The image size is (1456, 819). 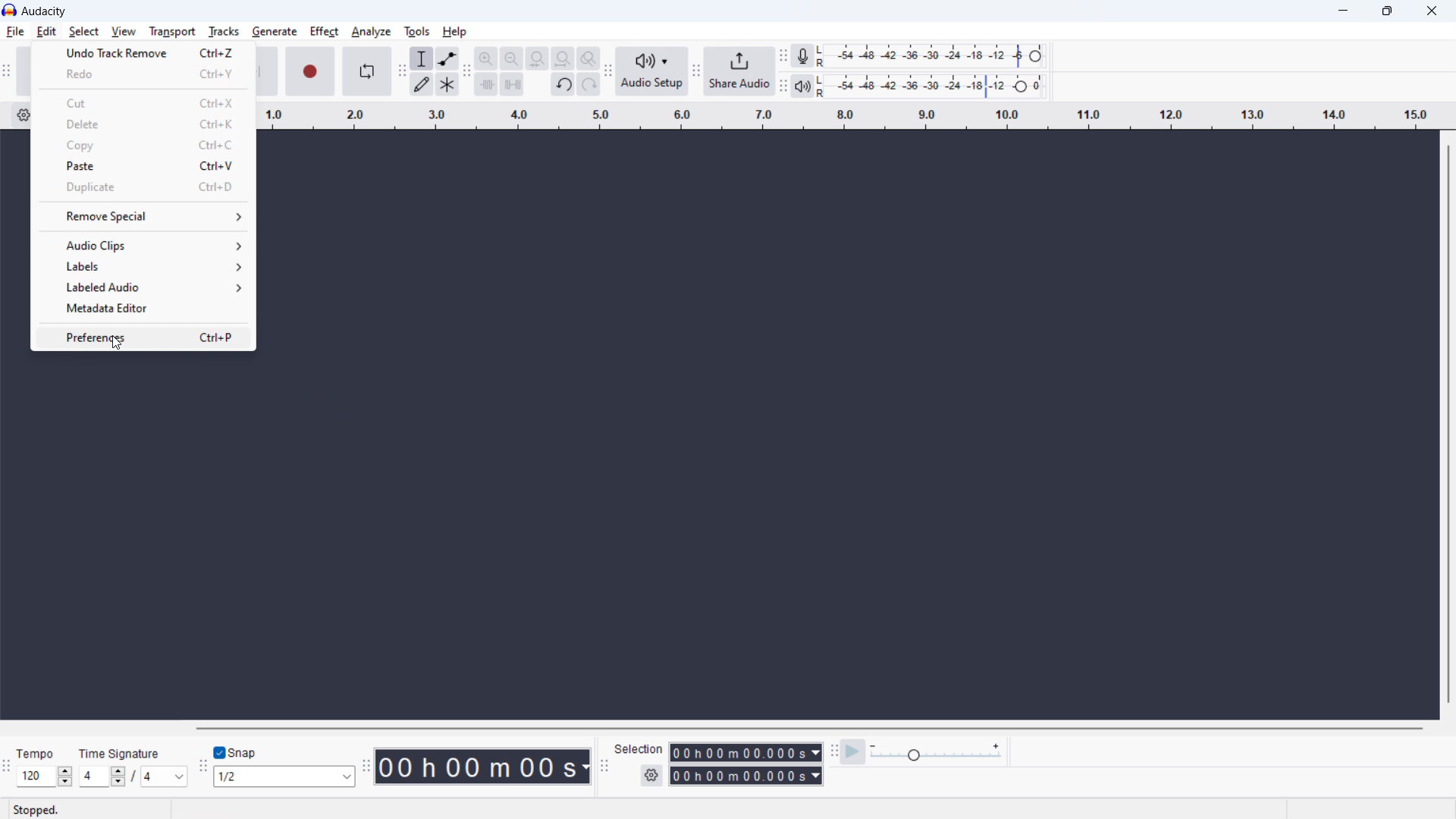 I want to click on fit selection to width, so click(x=537, y=58).